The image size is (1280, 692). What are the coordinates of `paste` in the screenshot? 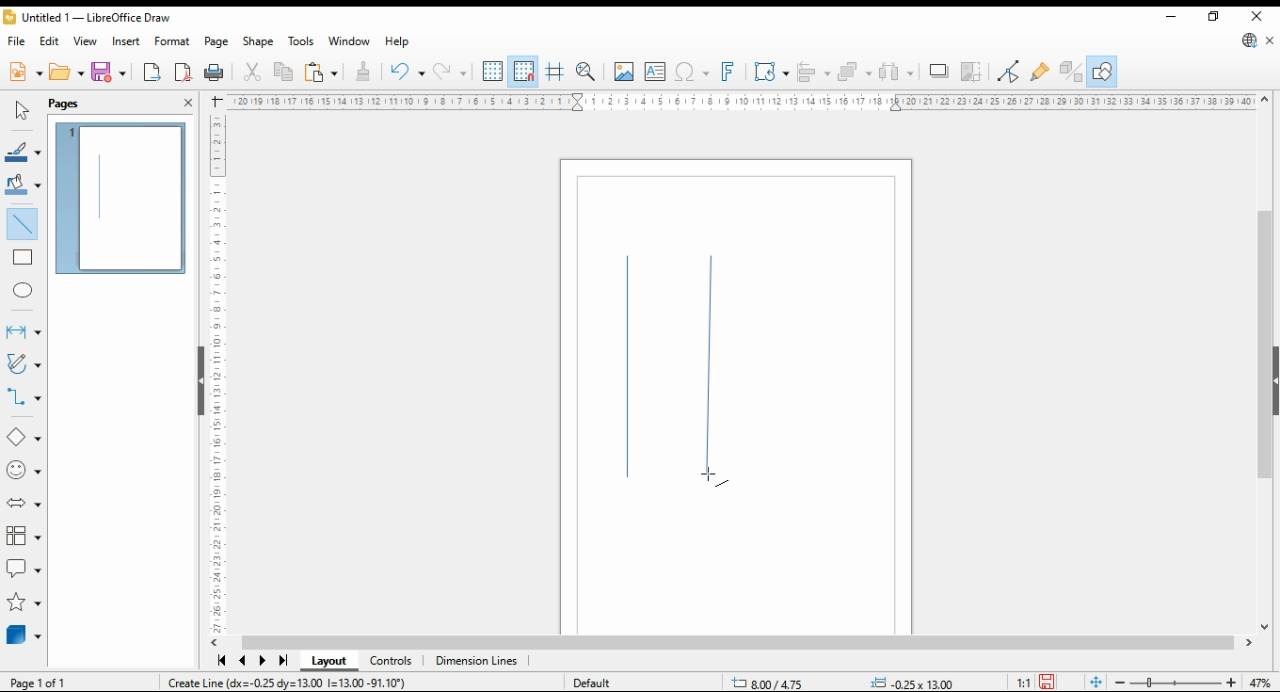 It's located at (319, 72).